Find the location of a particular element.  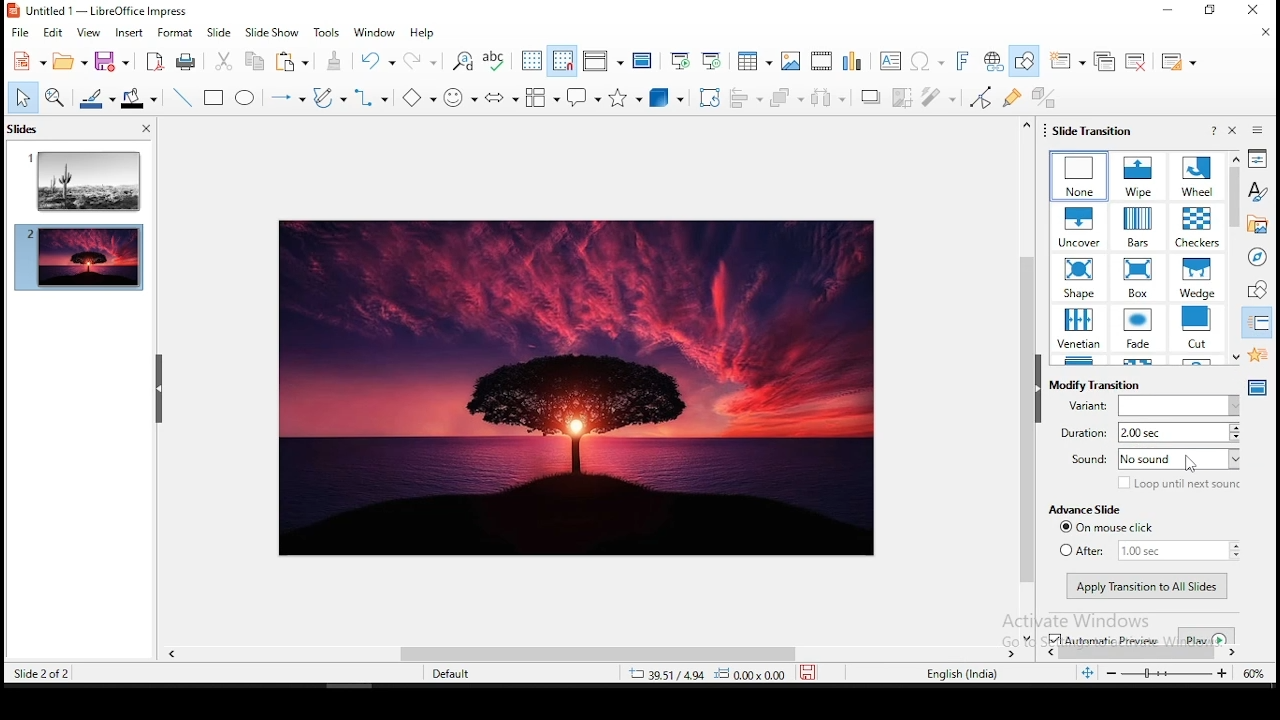

image is located at coordinates (578, 389).